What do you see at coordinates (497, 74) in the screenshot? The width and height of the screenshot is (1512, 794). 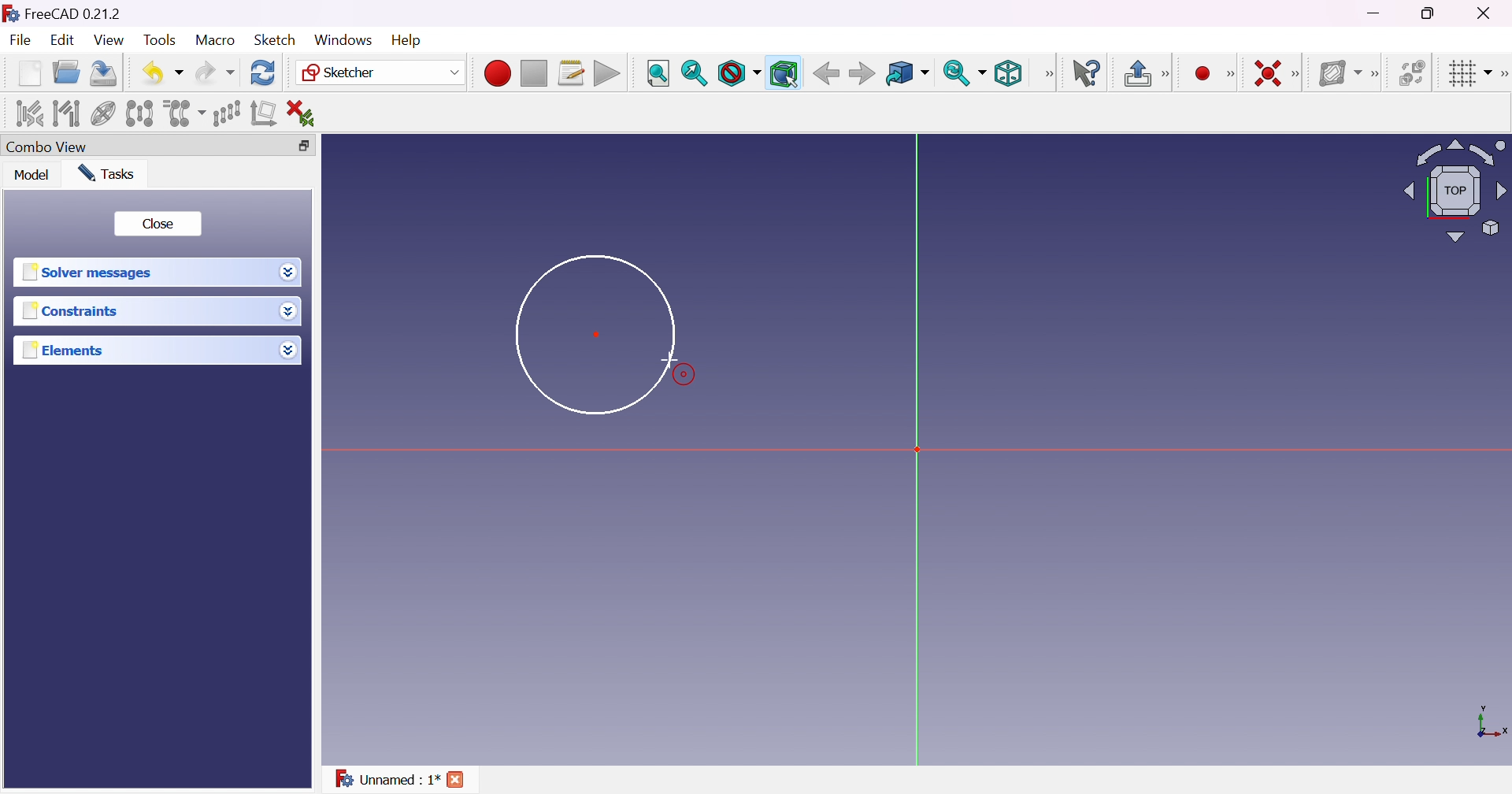 I see `Macro recording...` at bounding box center [497, 74].